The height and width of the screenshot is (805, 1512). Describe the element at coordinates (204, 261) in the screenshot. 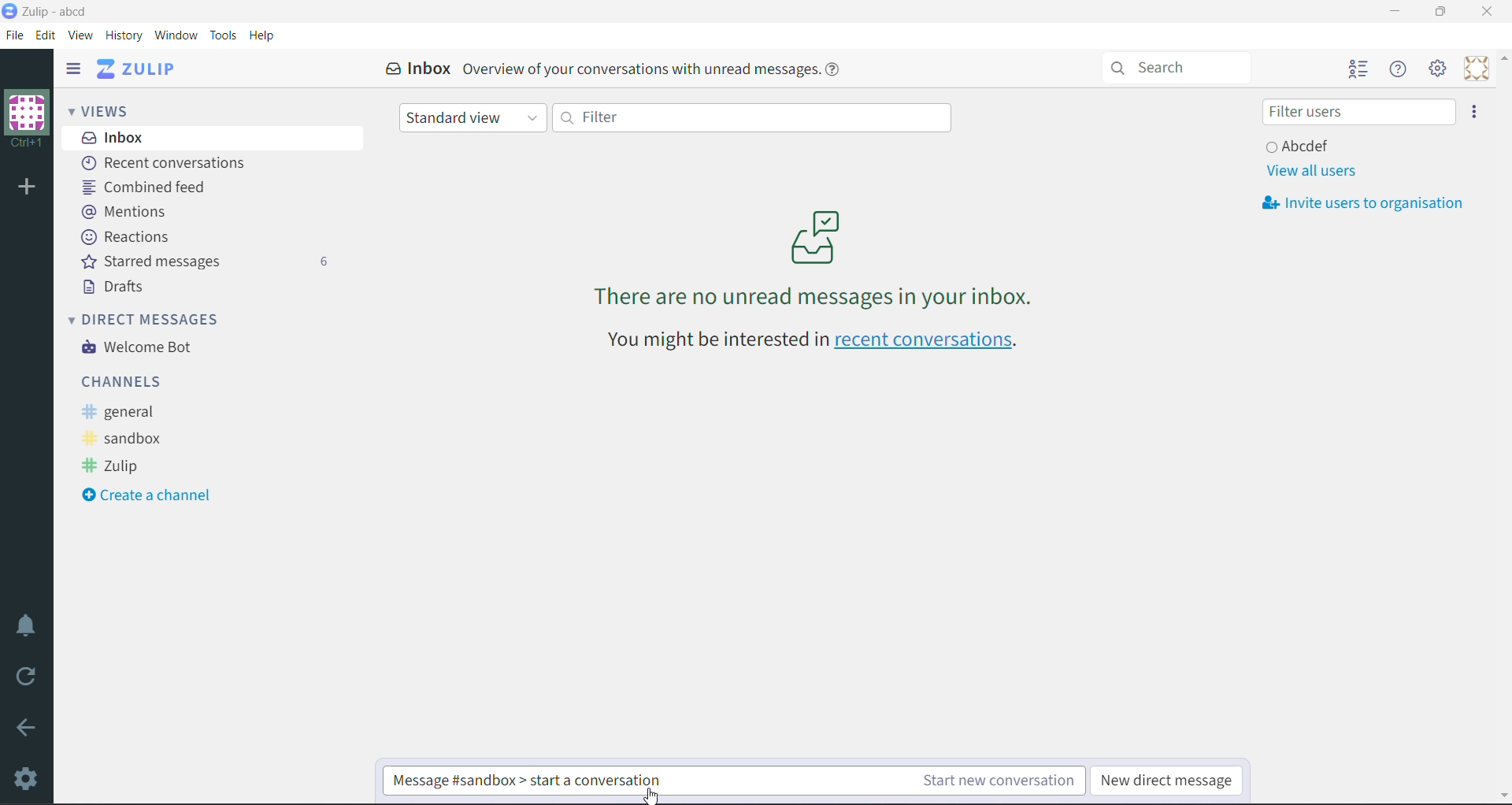

I see `Starred messages` at that location.